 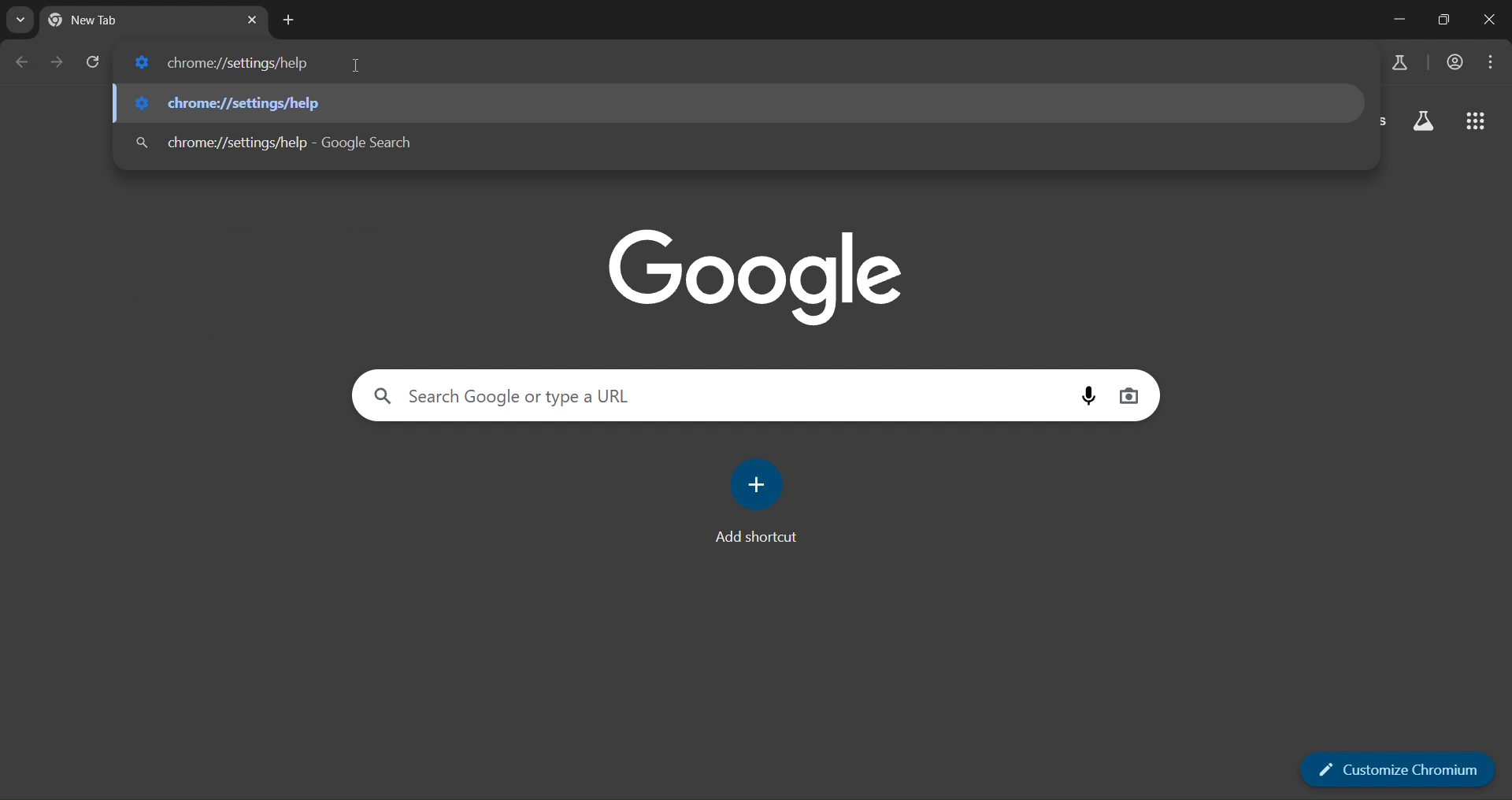 I want to click on chrome://settings/help, so click(x=228, y=103).